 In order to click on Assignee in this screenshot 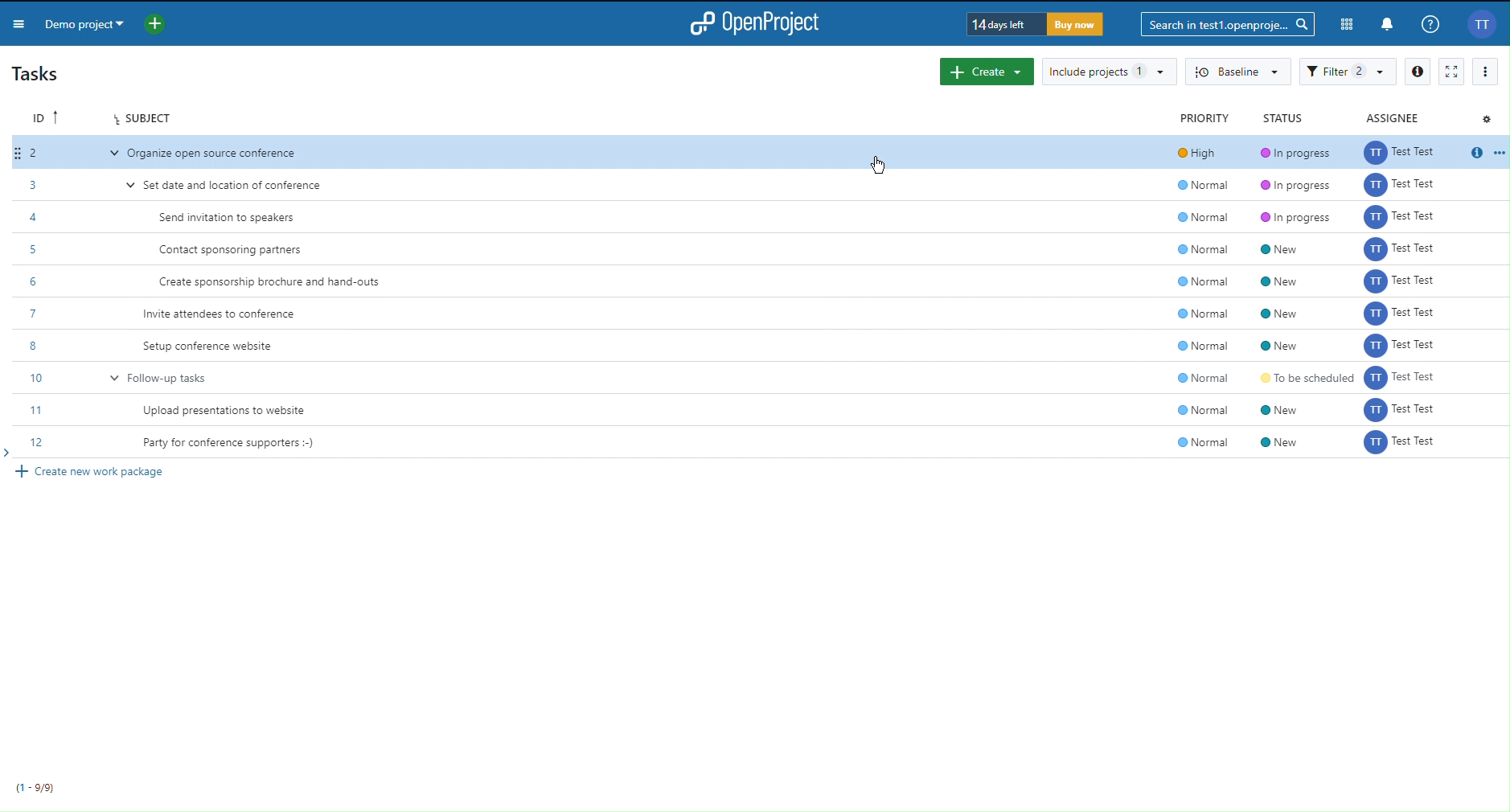, I will do `click(1389, 117)`.